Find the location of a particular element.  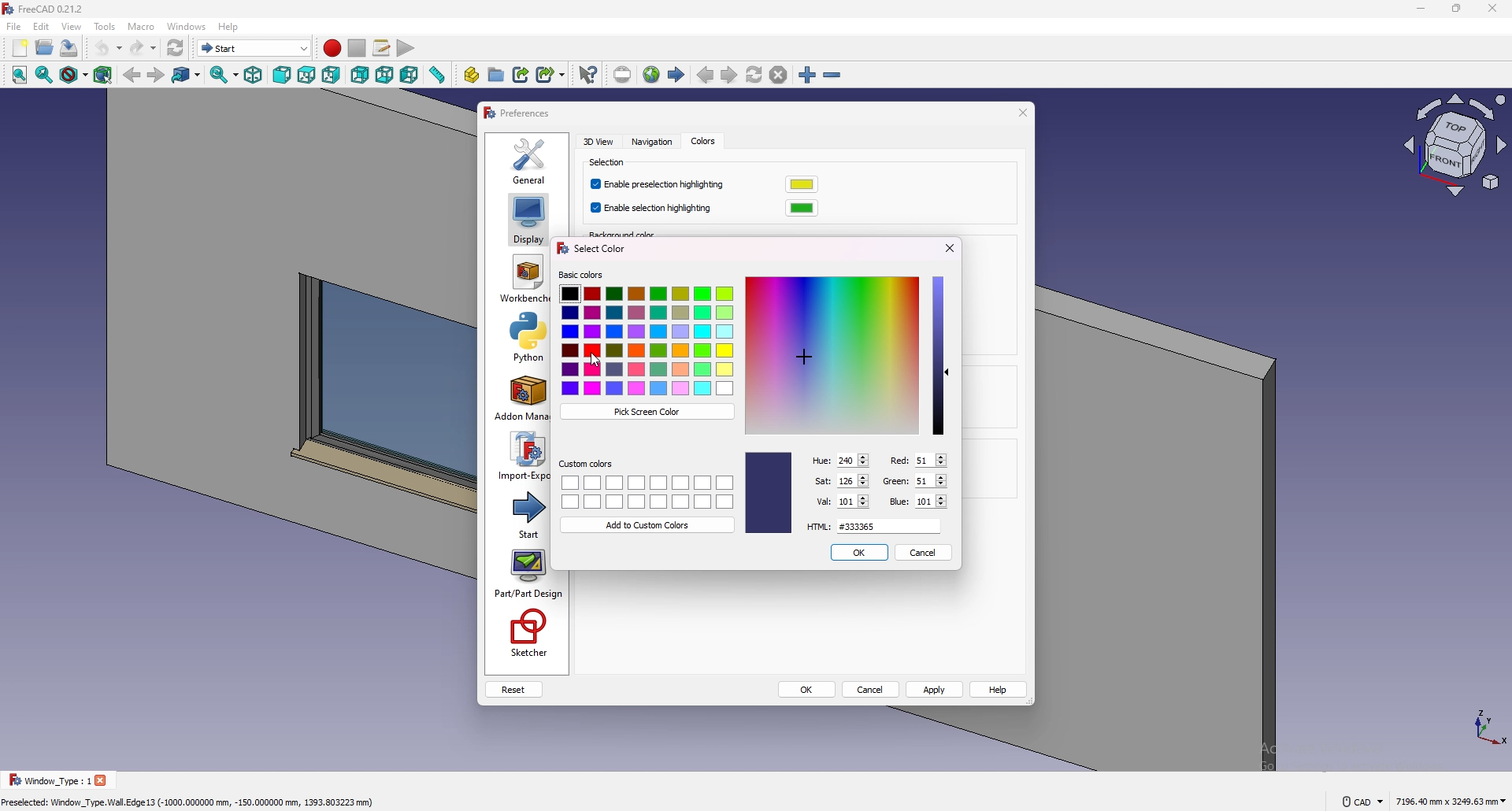

color slider is located at coordinates (832, 356).